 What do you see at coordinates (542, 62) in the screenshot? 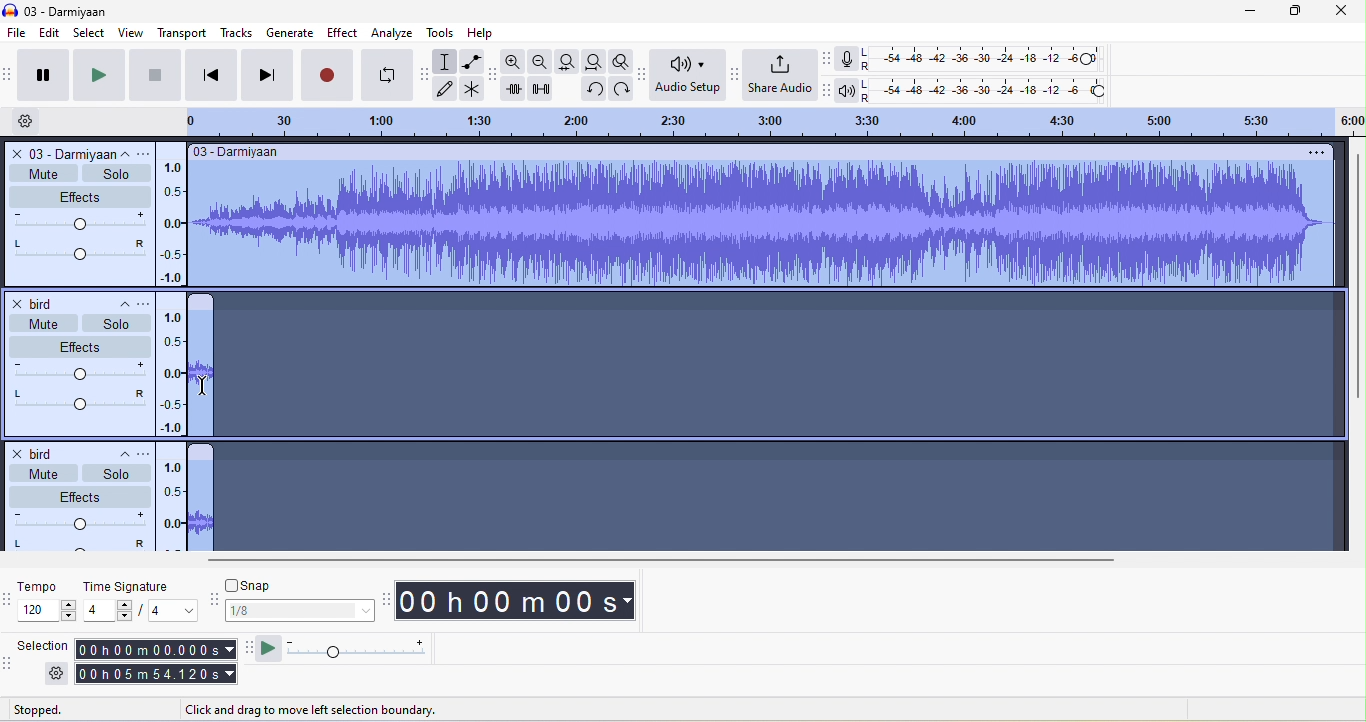
I see `zoom out` at bounding box center [542, 62].